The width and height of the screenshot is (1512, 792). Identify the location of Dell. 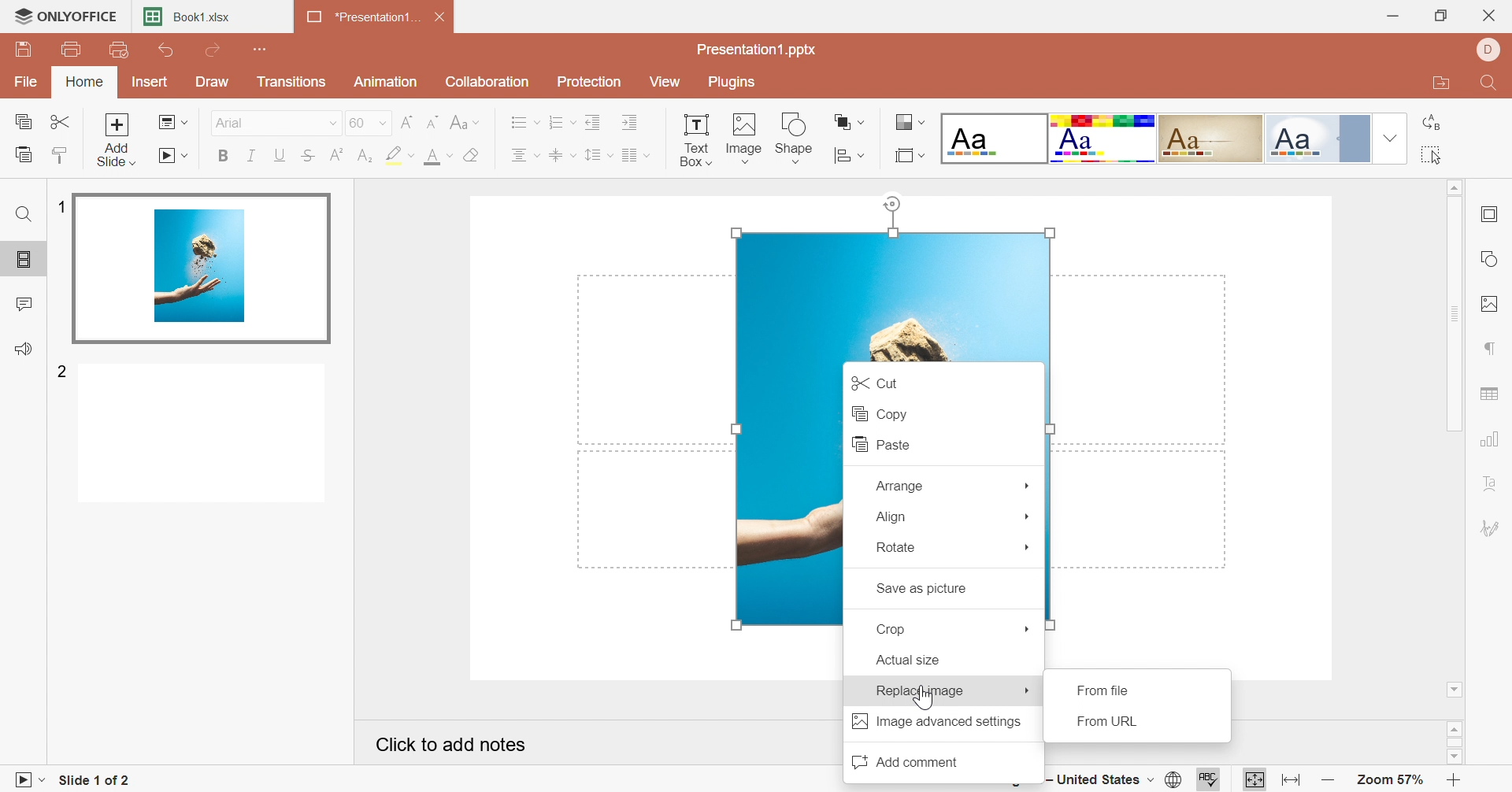
(1488, 51).